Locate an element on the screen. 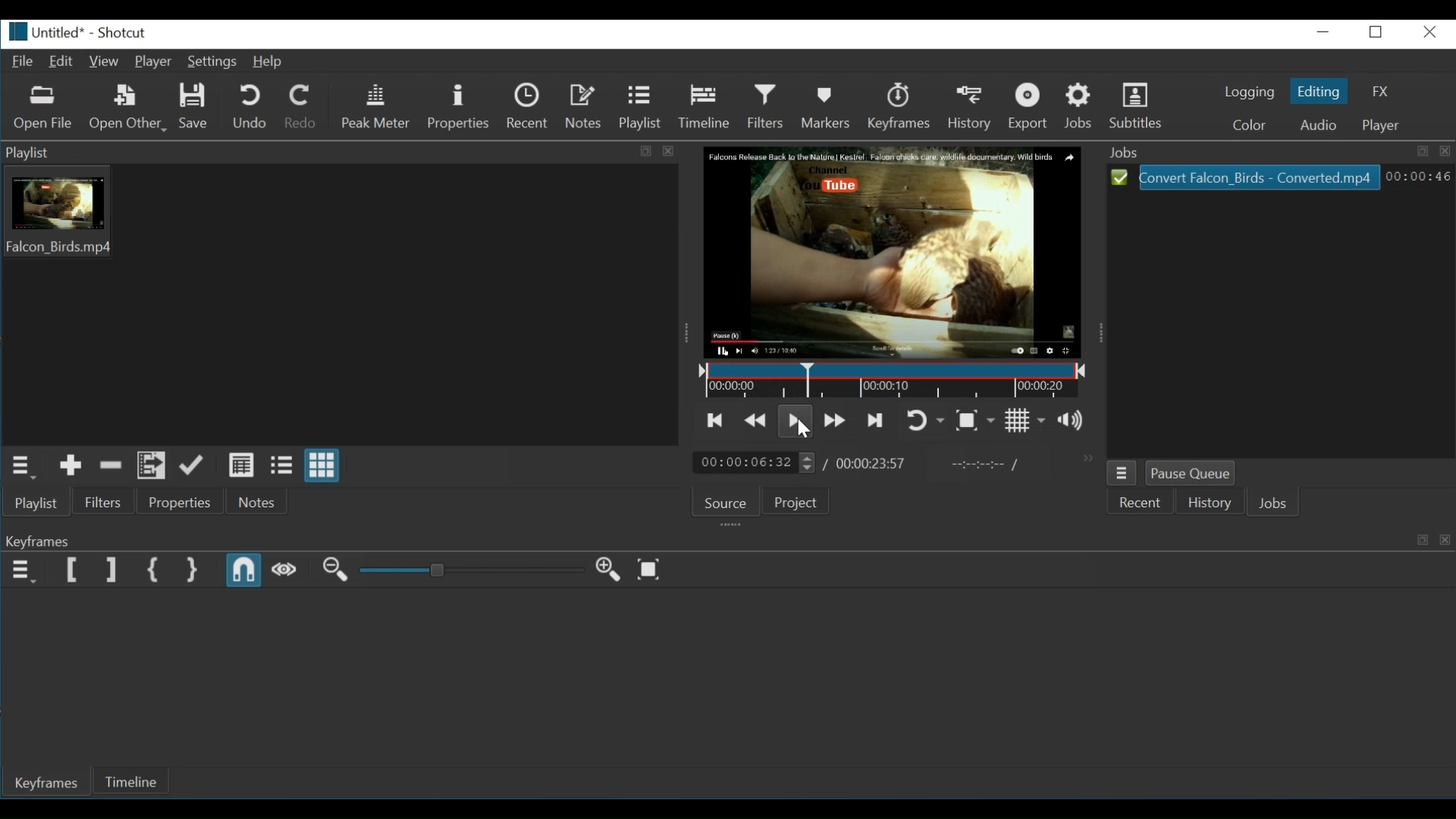 Image resolution: width=1456 pixels, height=819 pixels. Player is located at coordinates (1385, 124).